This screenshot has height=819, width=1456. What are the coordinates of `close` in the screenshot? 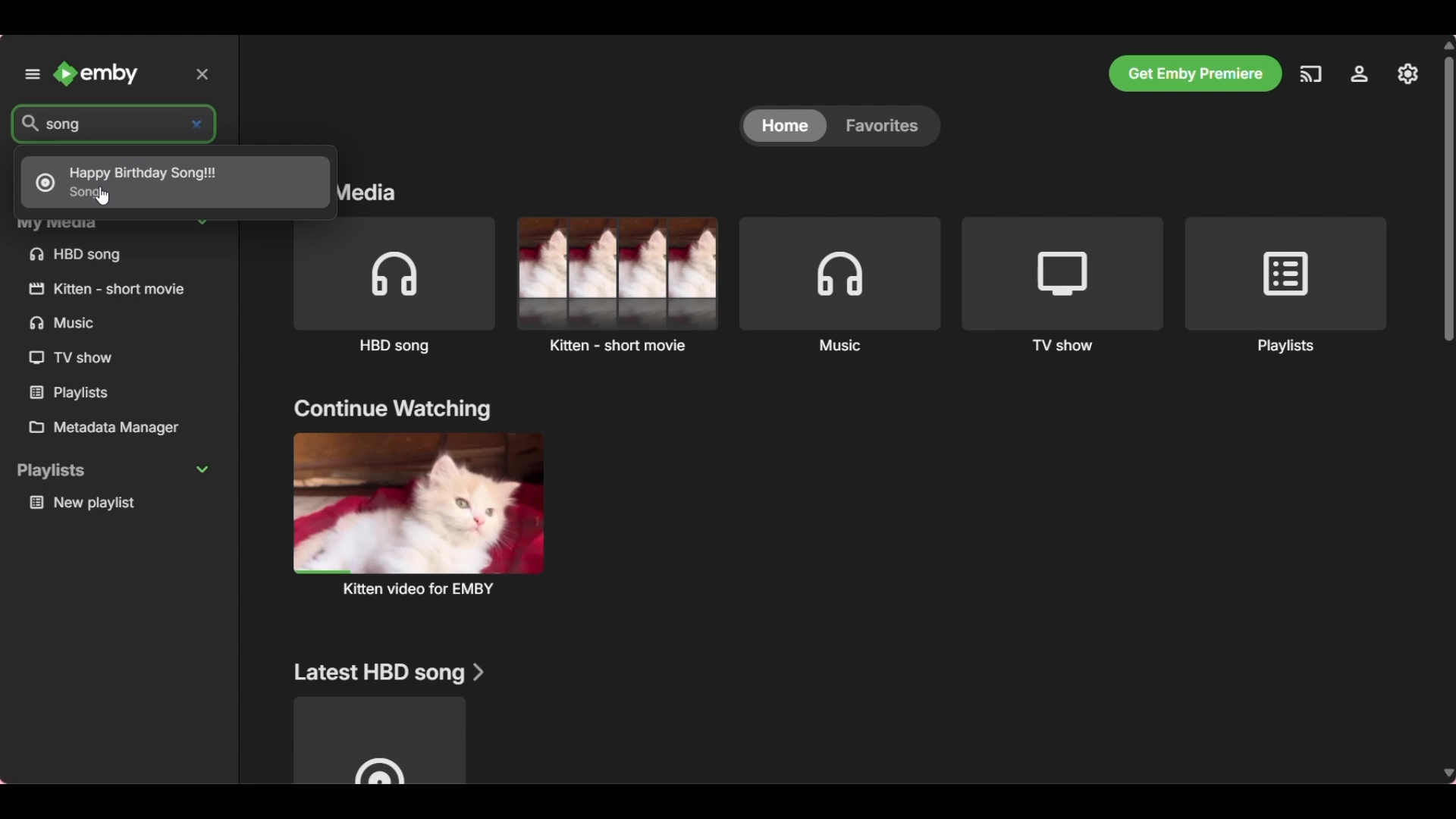 It's located at (206, 73).